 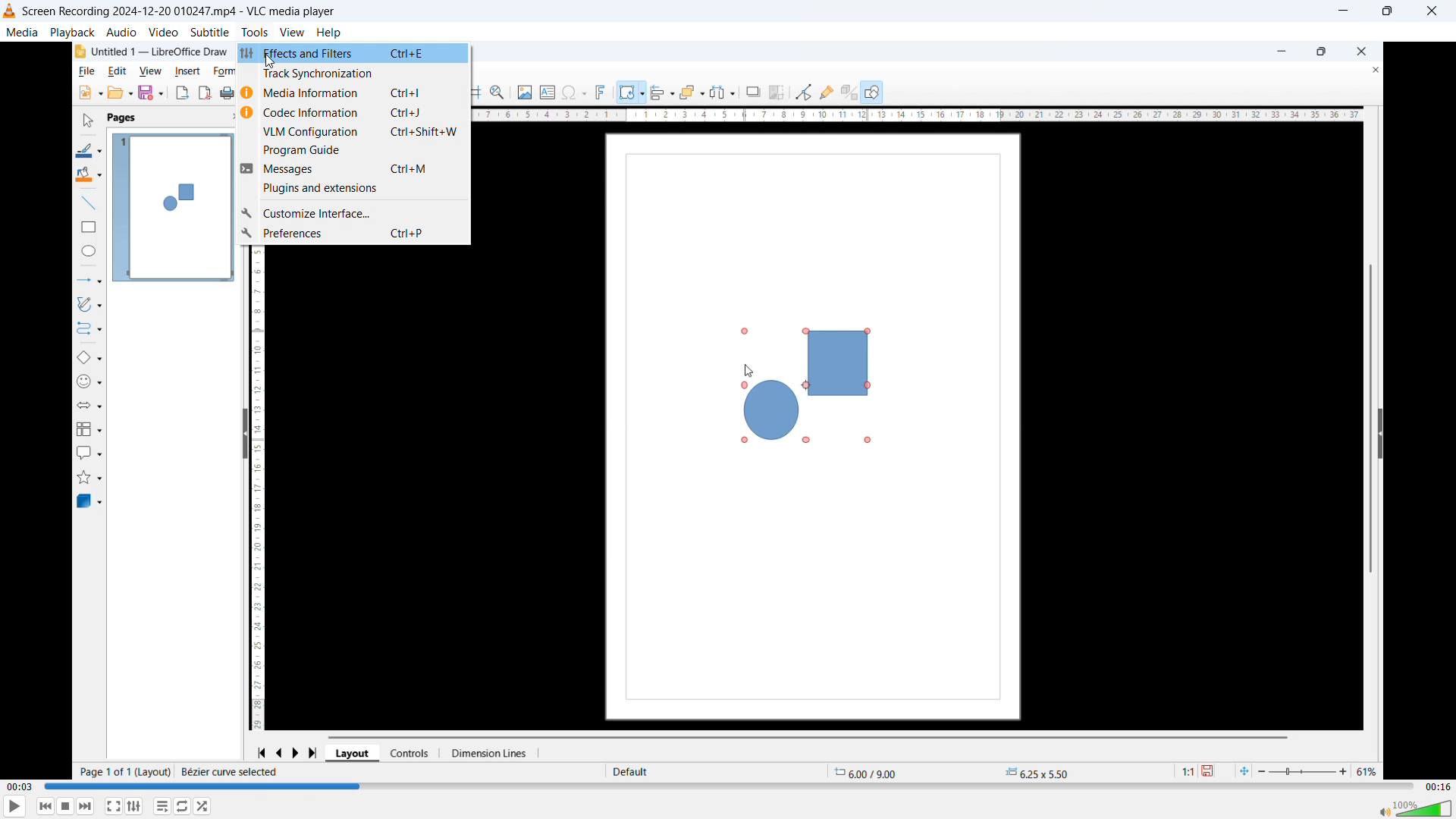 What do you see at coordinates (353, 93) in the screenshot?
I see `Media information ` at bounding box center [353, 93].